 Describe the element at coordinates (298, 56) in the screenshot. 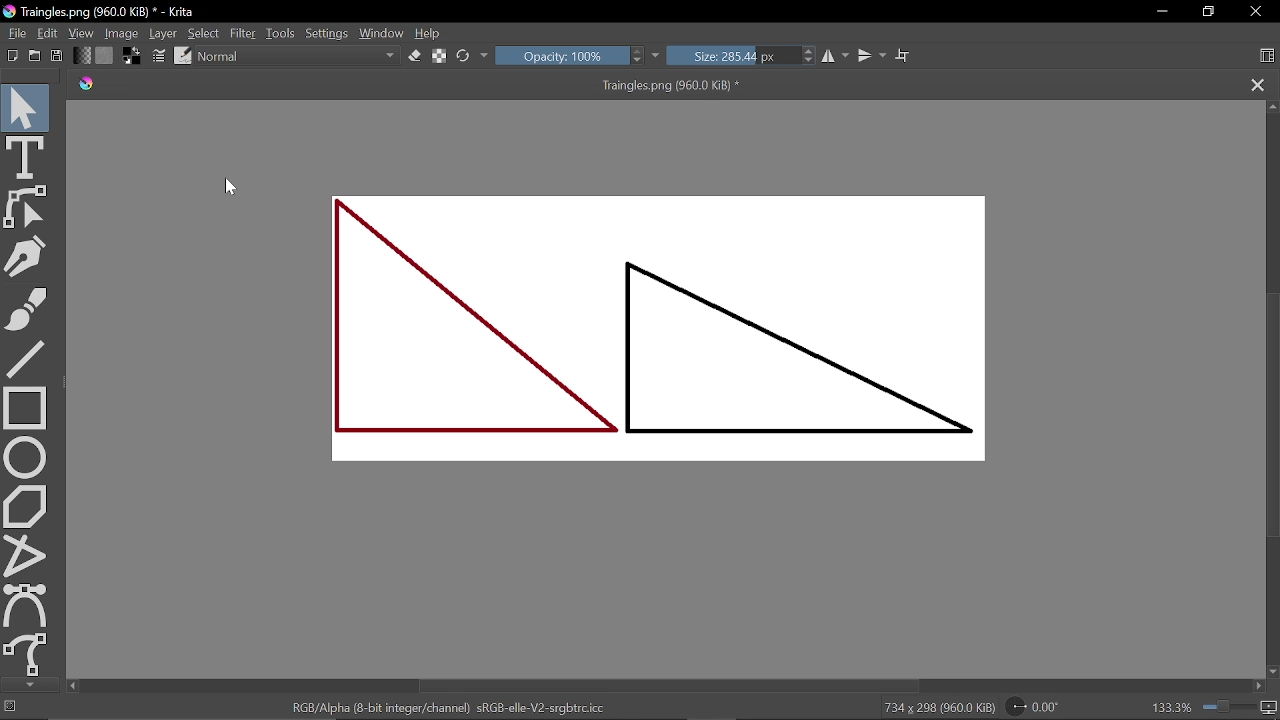

I see `Normal` at that location.